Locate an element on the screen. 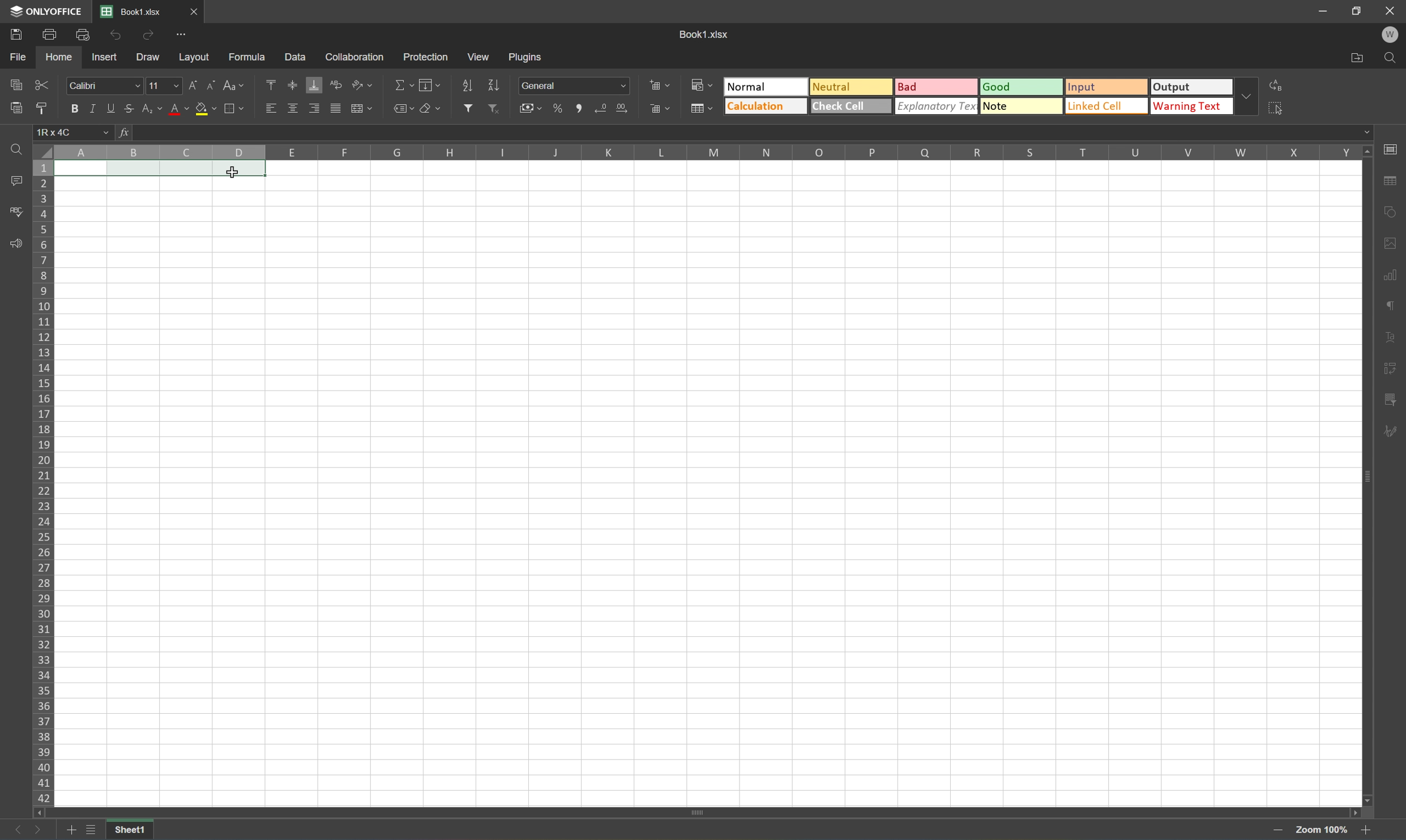 The height and width of the screenshot is (840, 1406). Cut is located at coordinates (42, 84).